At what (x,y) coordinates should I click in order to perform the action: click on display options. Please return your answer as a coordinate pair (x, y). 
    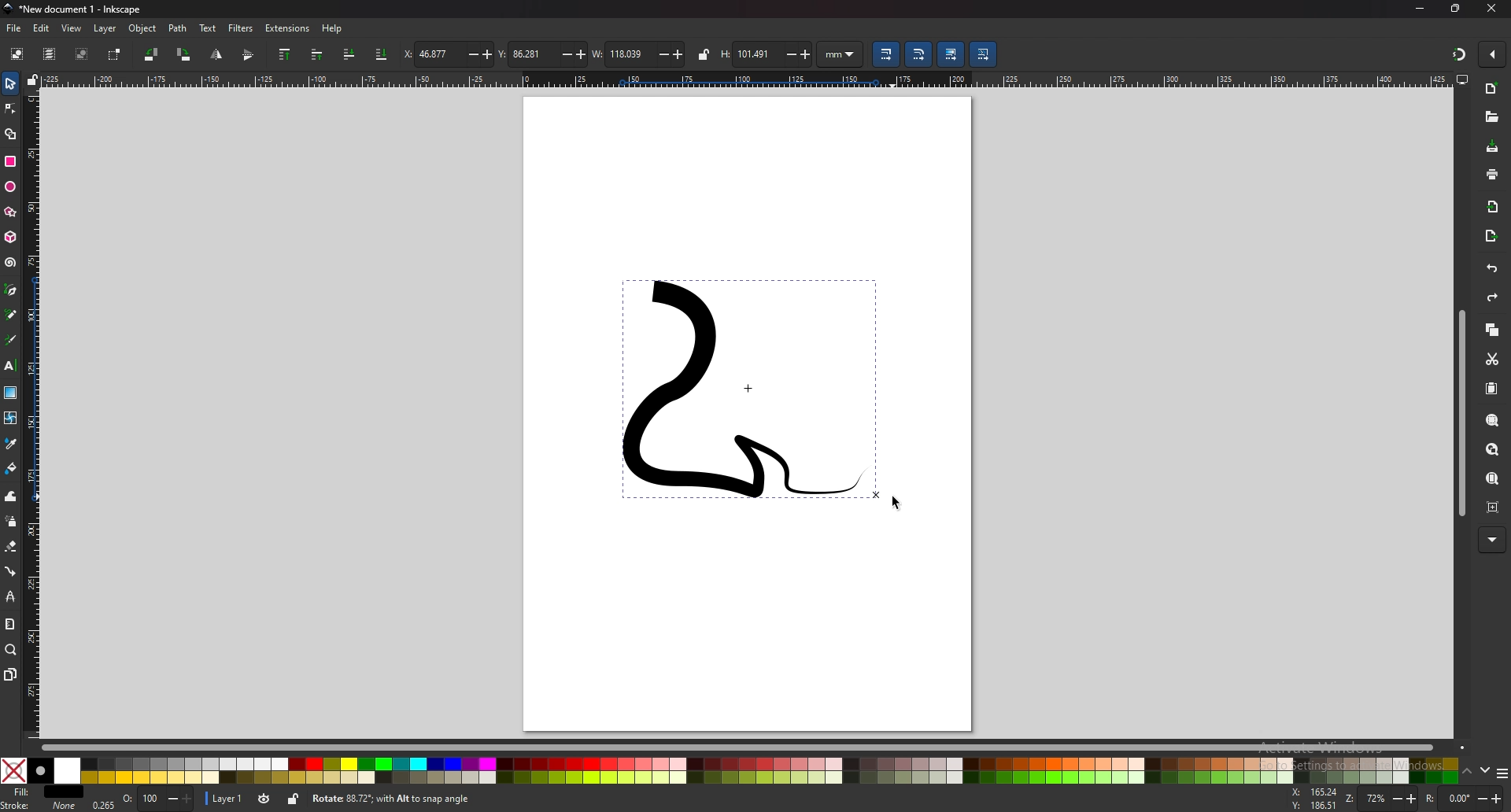
    Looking at the image, I should click on (1462, 79).